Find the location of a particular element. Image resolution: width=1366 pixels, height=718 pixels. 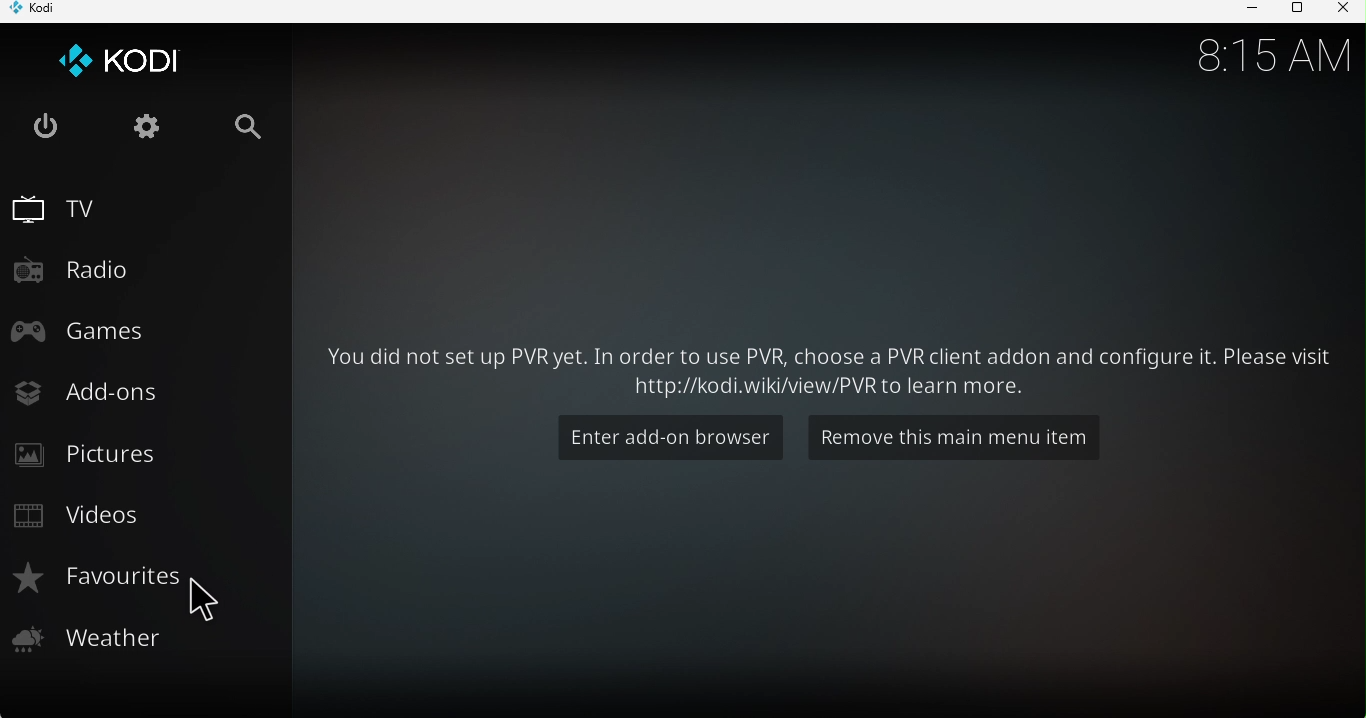

Maximize is located at coordinates (1294, 11).